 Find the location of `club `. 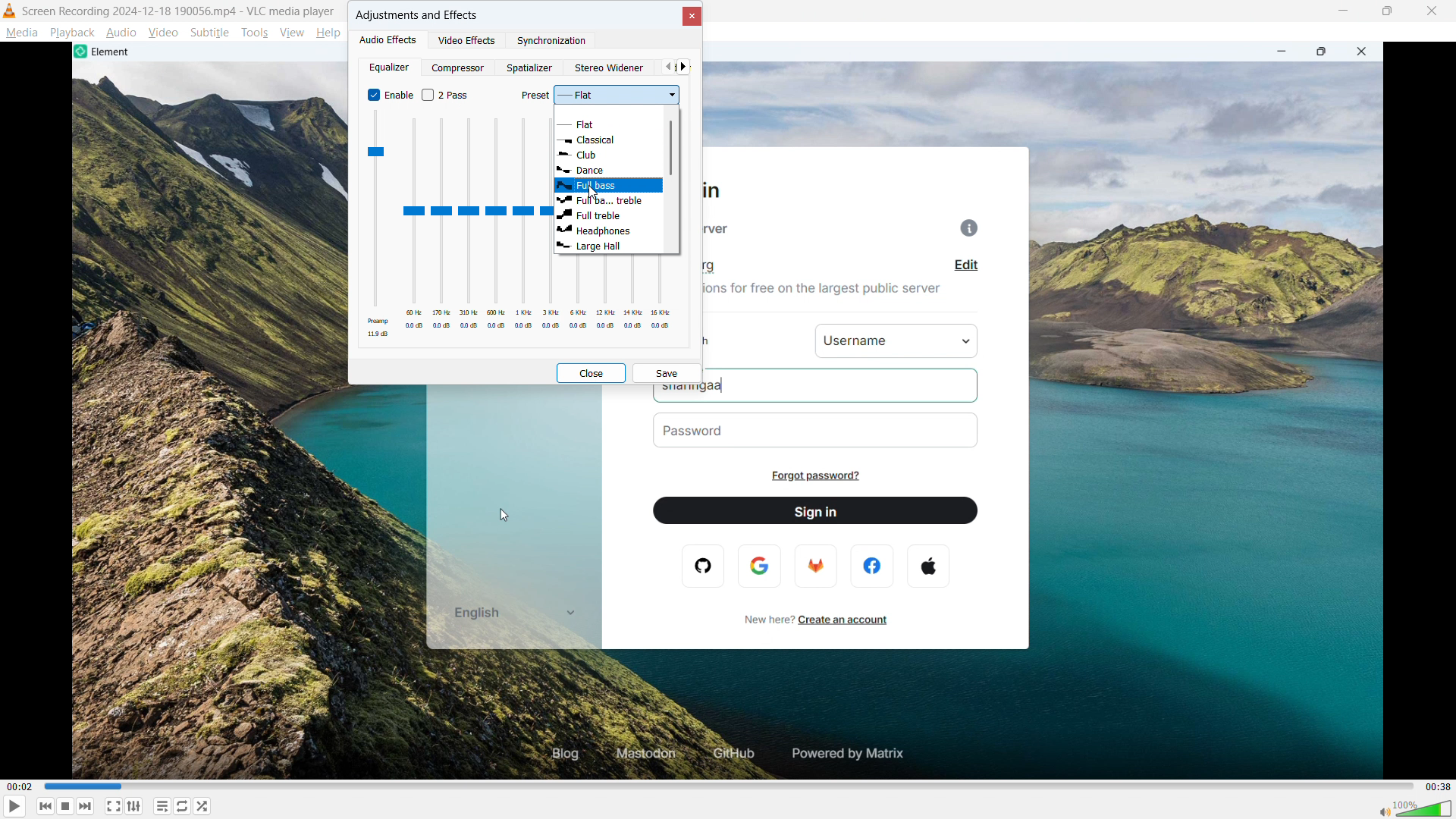

club  is located at coordinates (609, 154).